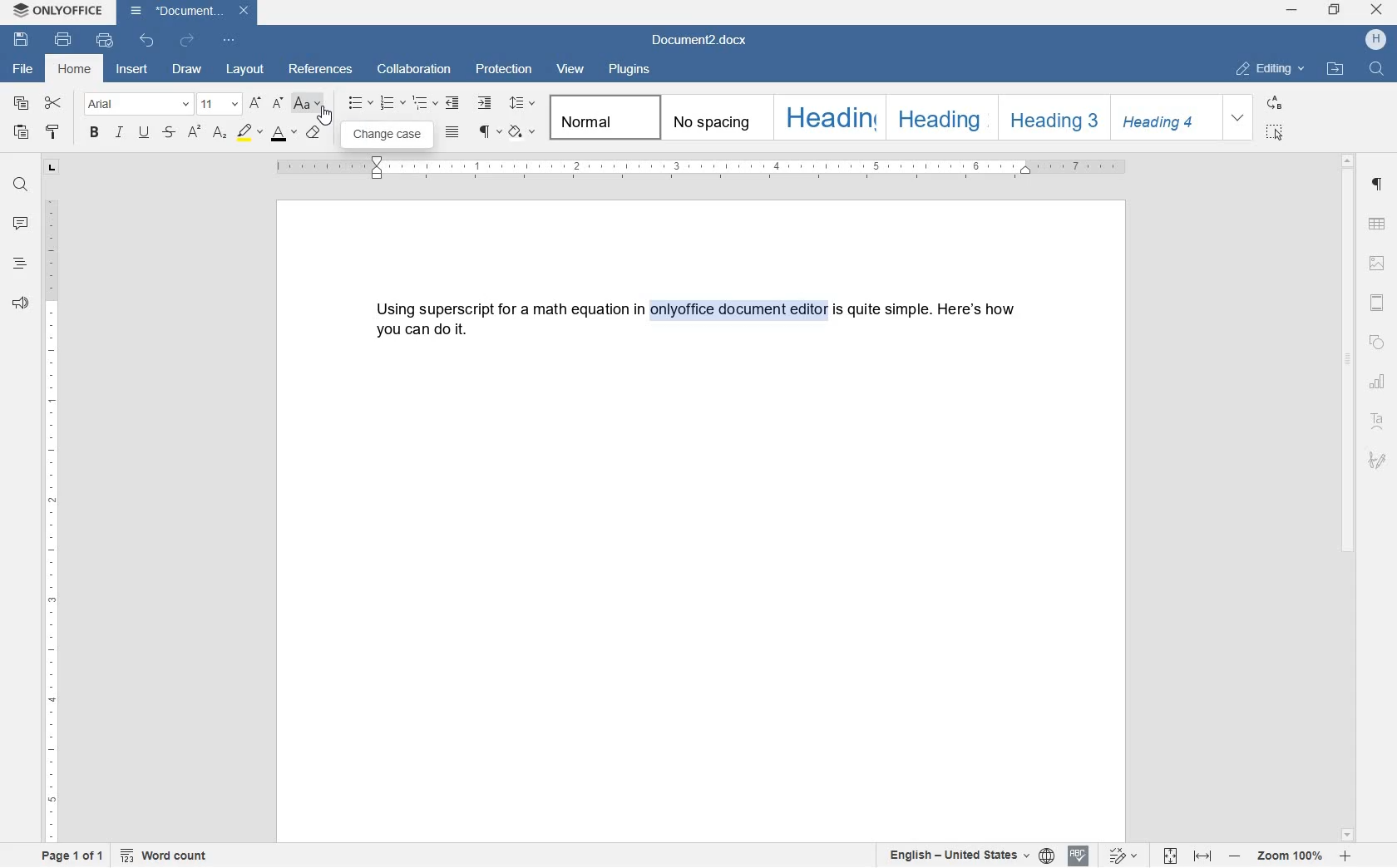 This screenshot has height=868, width=1397. I want to click on spell check, so click(1077, 856).